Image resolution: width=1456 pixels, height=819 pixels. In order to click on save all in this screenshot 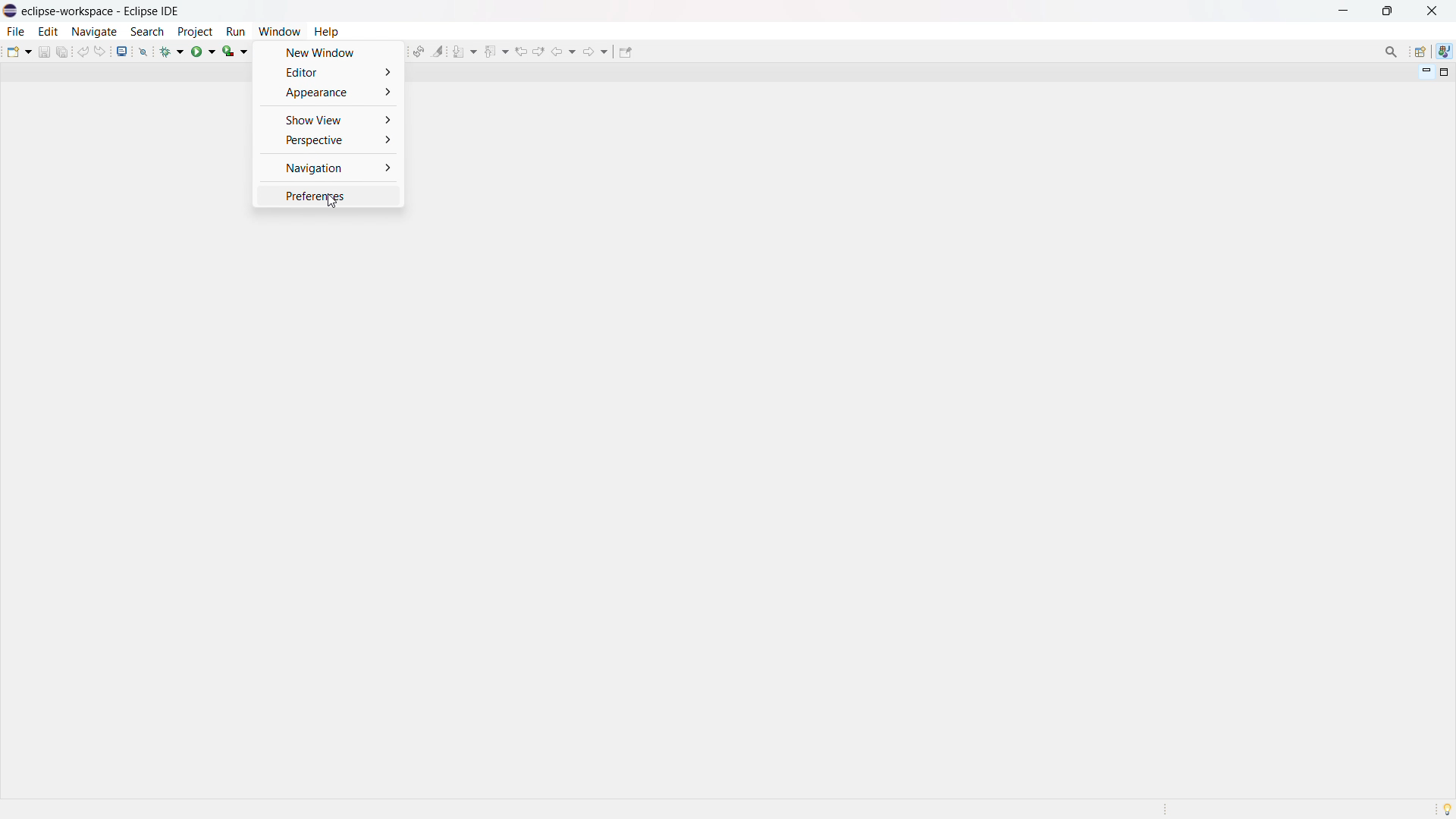, I will do `click(64, 51)`.